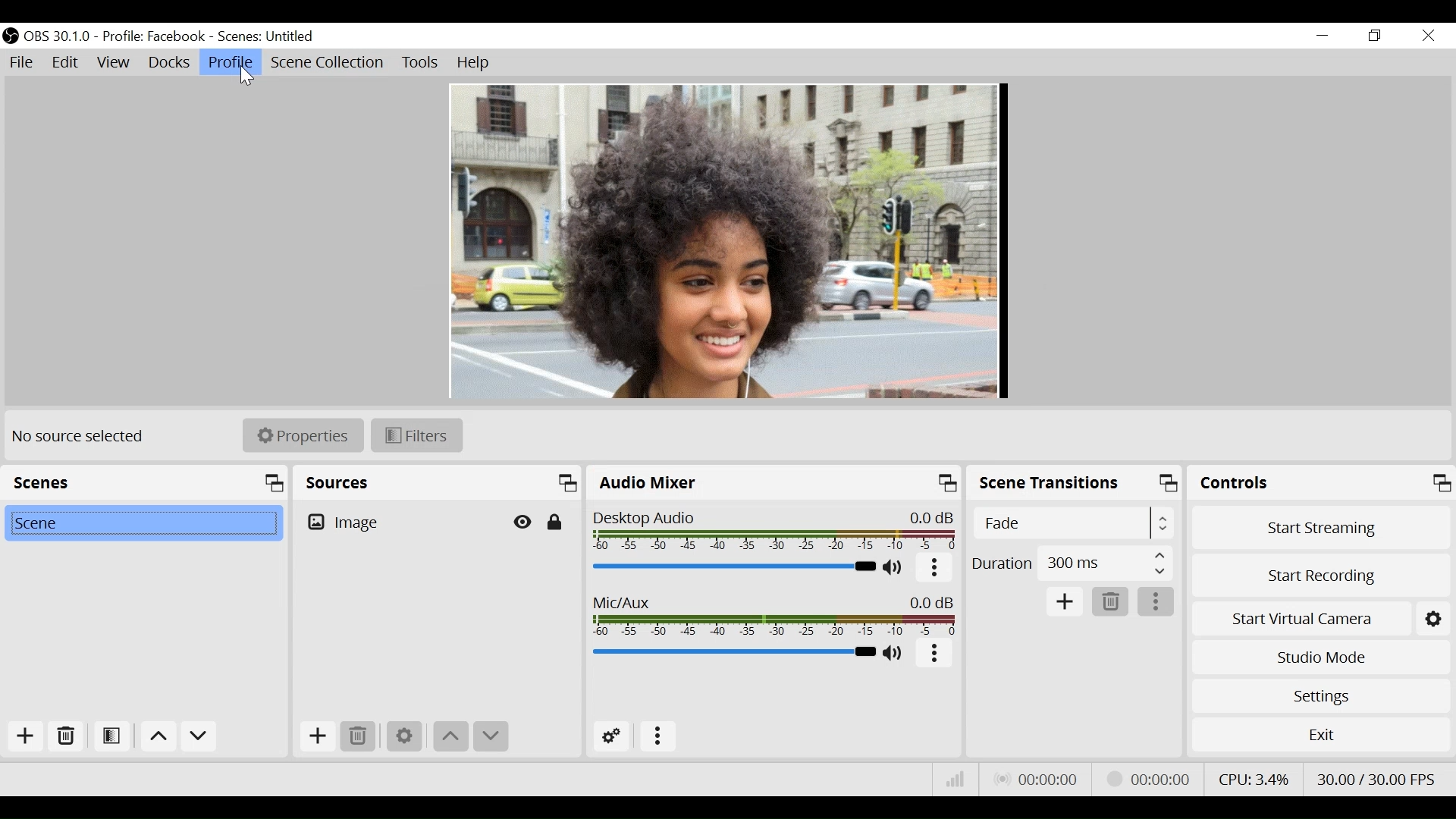 The width and height of the screenshot is (1456, 819). Describe the element at coordinates (1076, 522) in the screenshot. I see `Select Scene Transition` at that location.